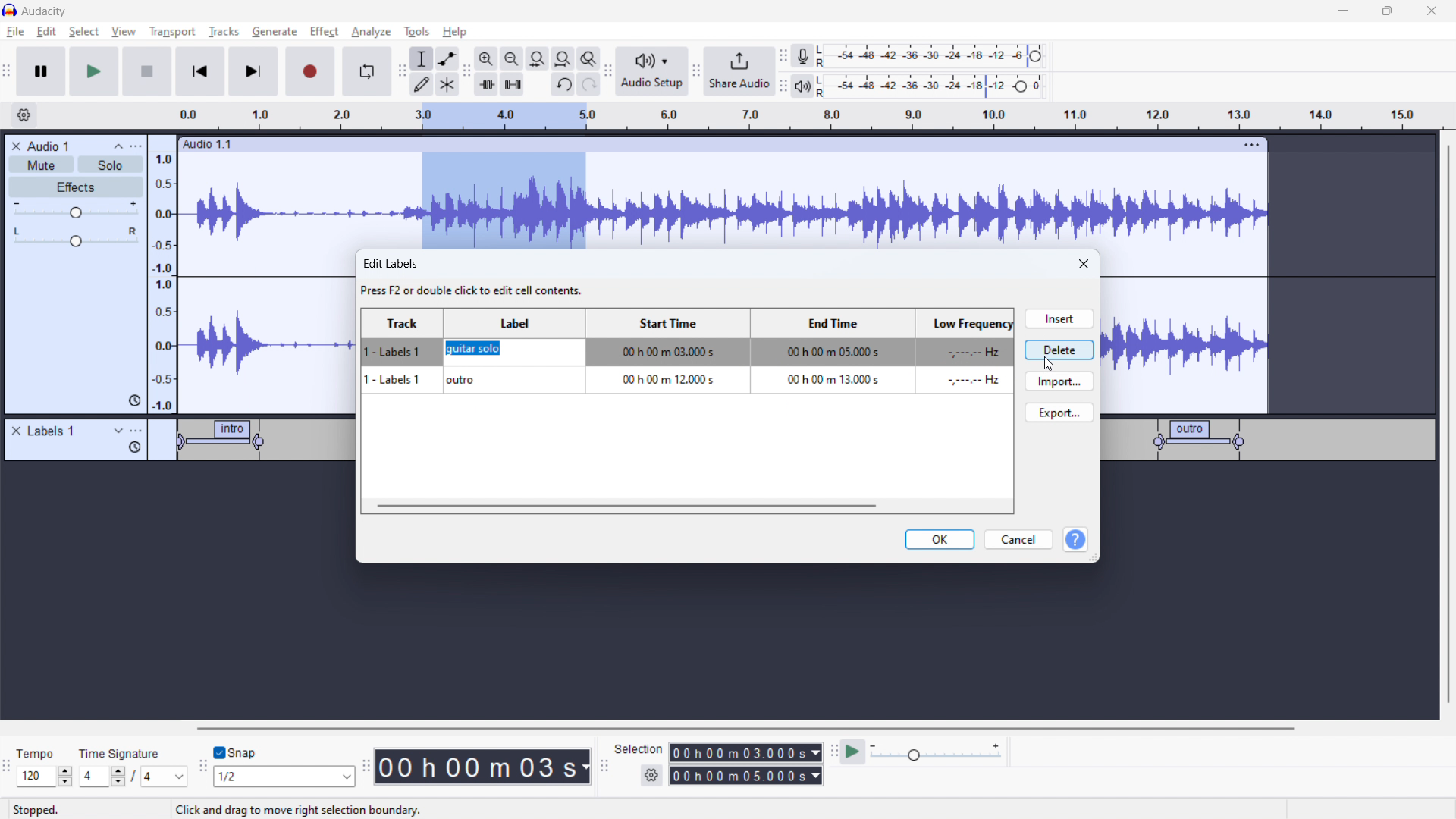  I want to click on help, so click(1075, 541).